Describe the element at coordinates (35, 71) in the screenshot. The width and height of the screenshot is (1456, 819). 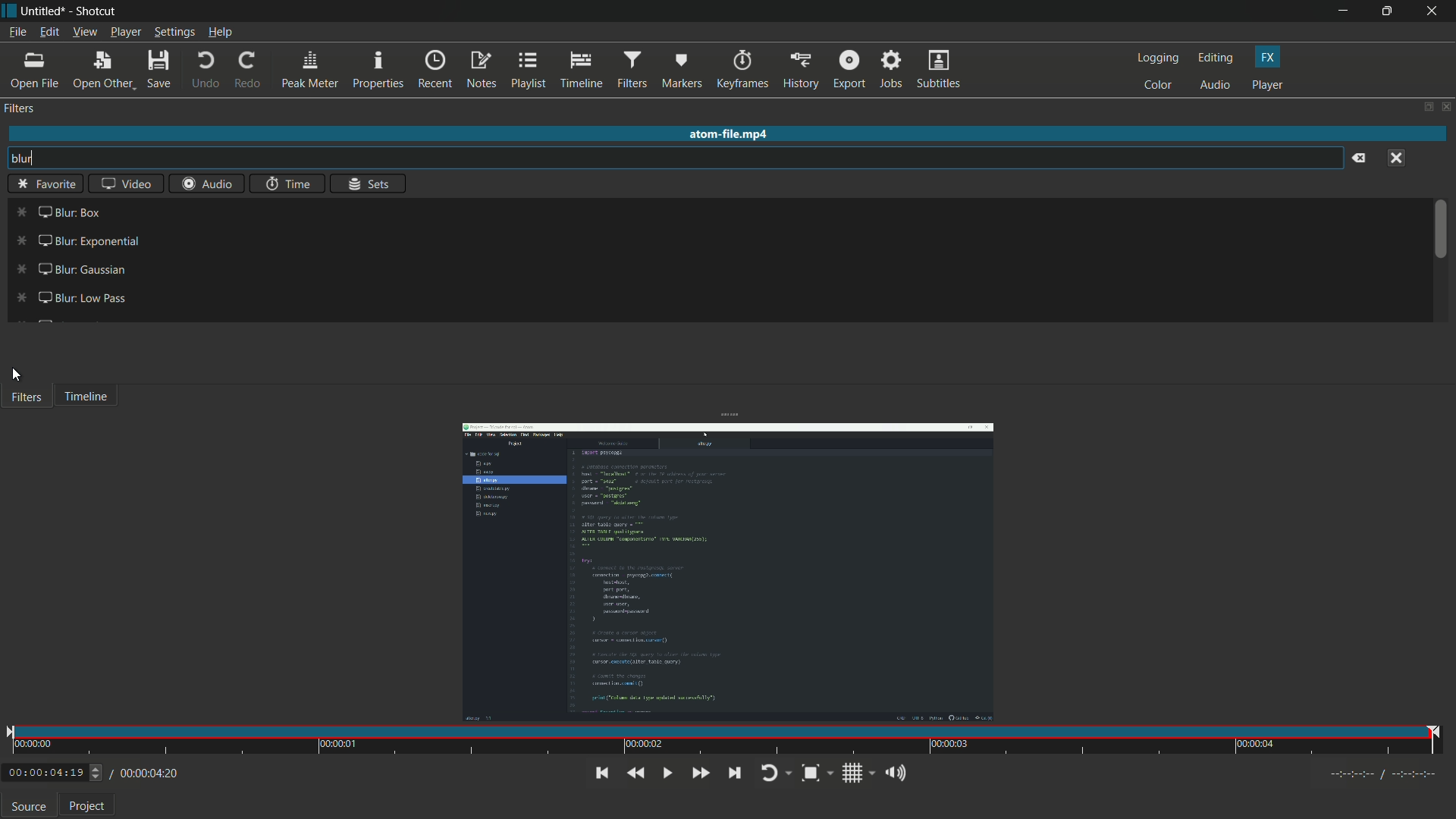
I see `open file` at that location.